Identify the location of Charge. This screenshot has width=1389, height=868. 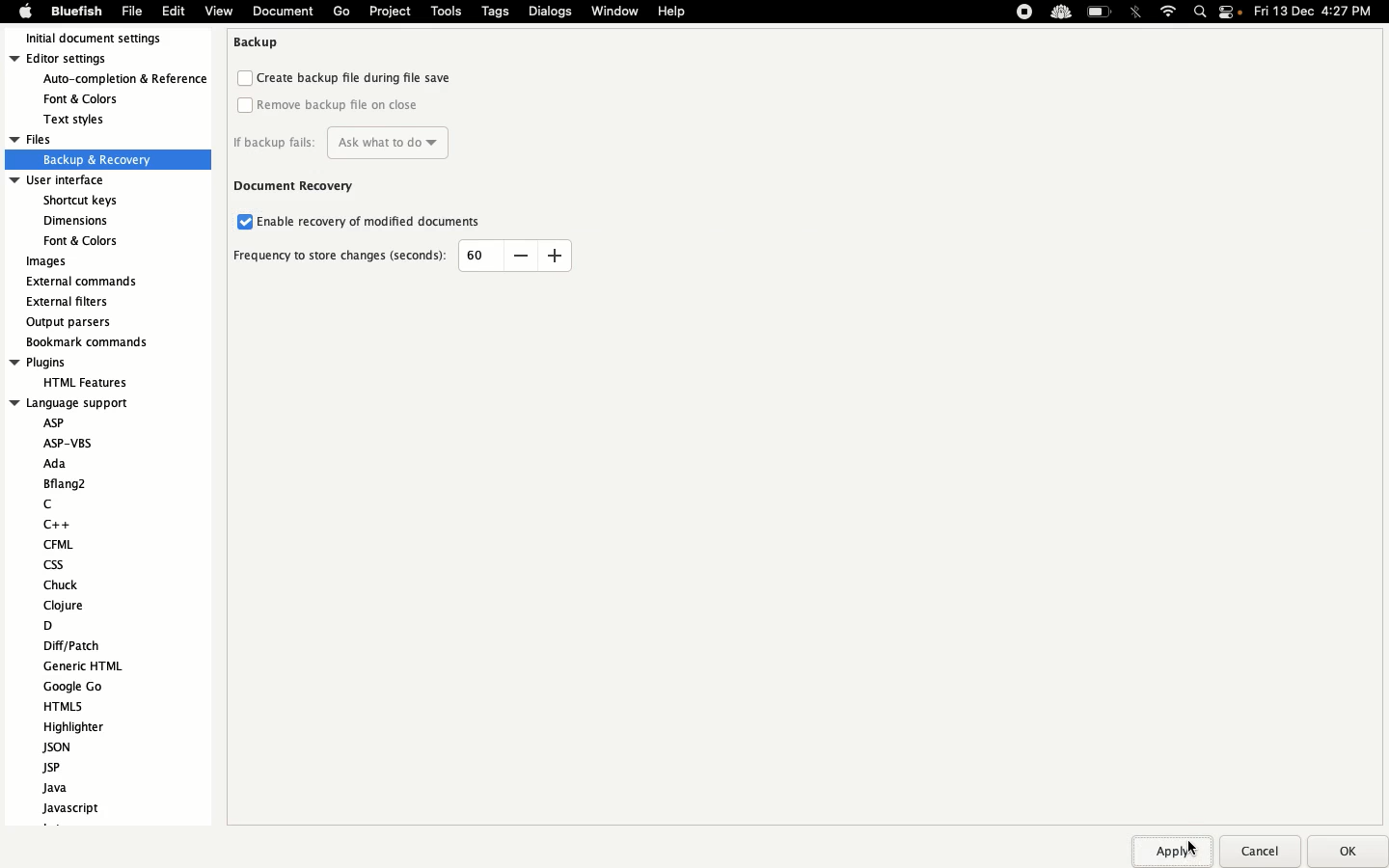
(1101, 12).